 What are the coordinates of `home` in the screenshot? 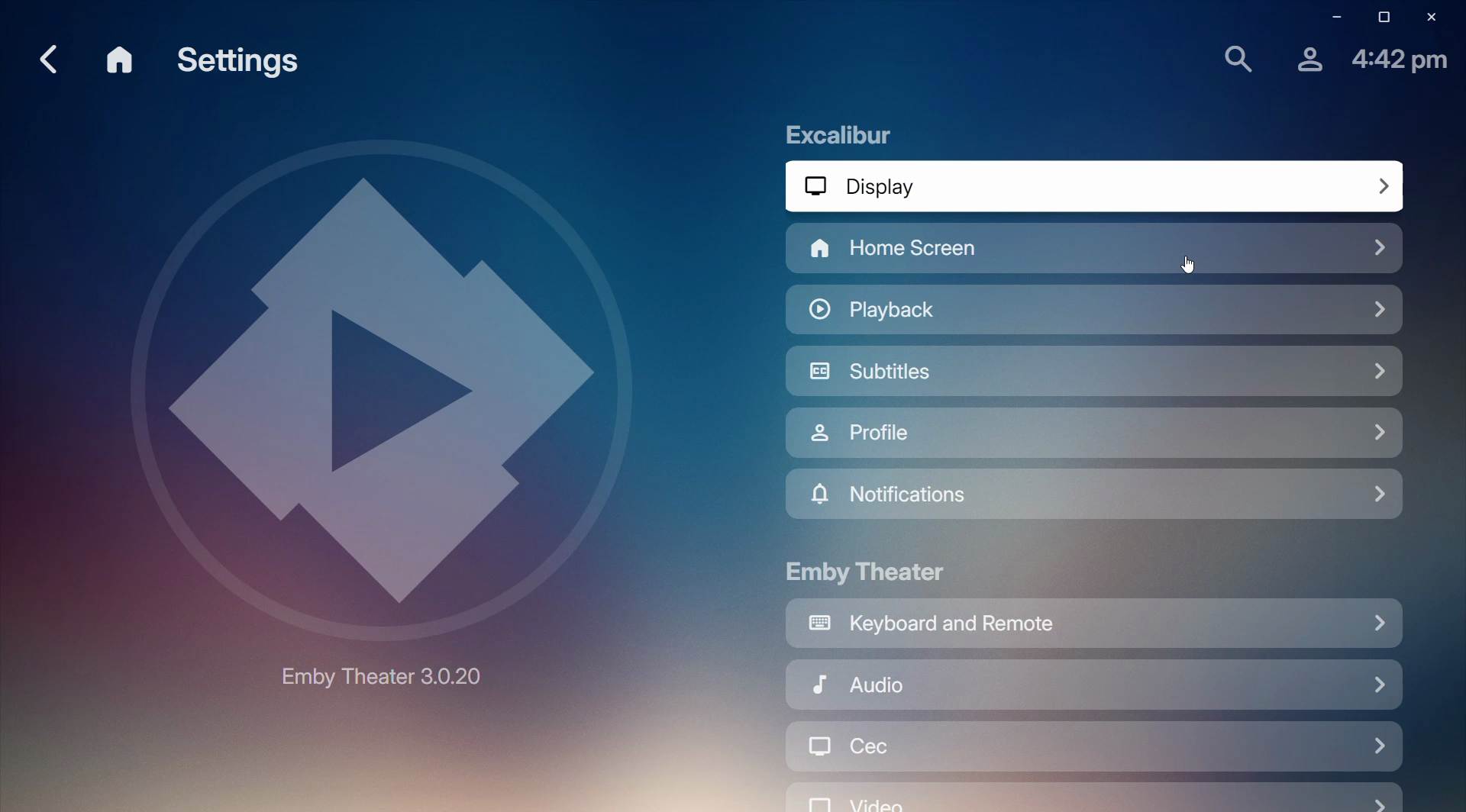 It's located at (122, 58).